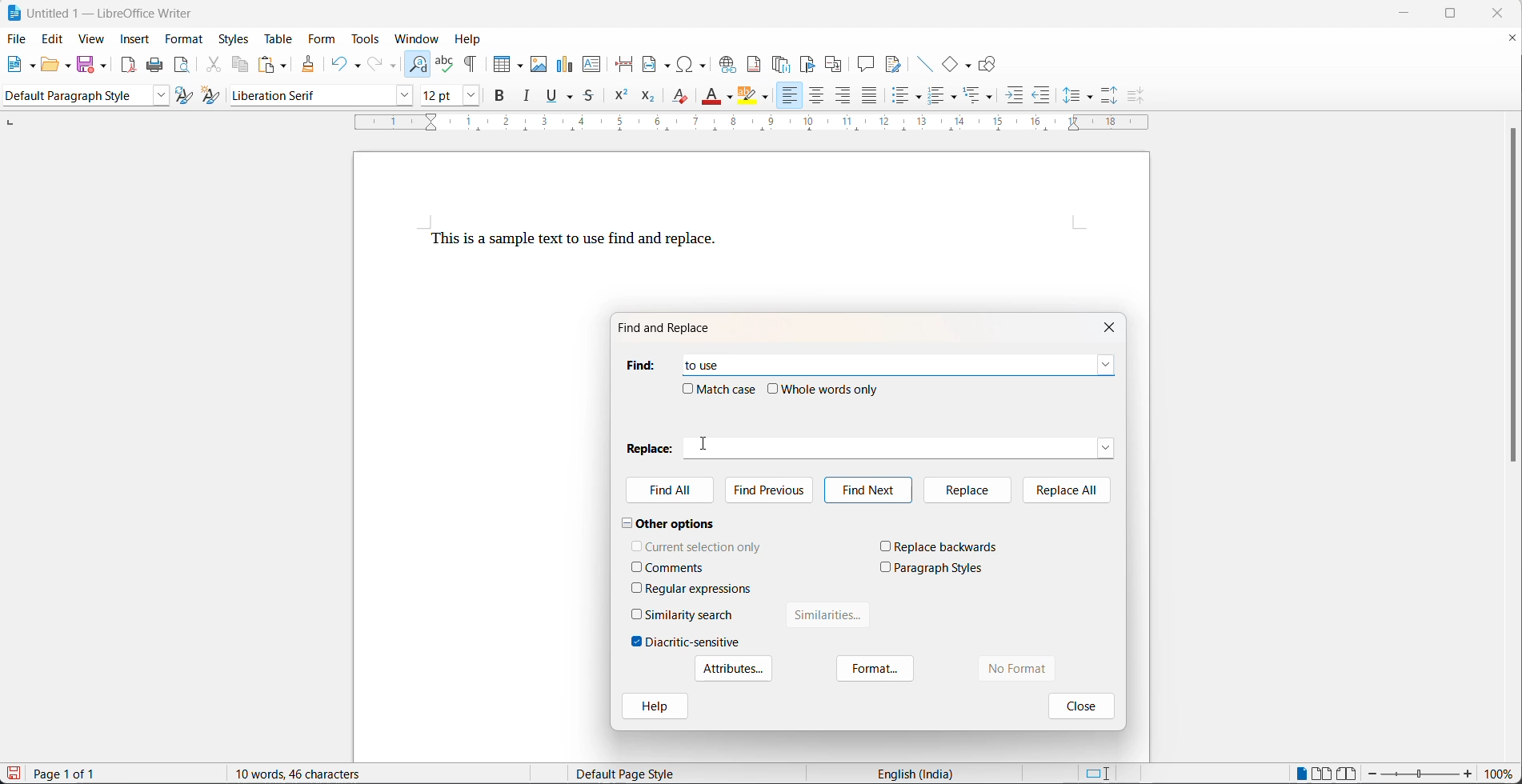 Image resolution: width=1522 pixels, height=784 pixels. Describe the element at coordinates (909, 445) in the screenshot. I see `replace textbox` at that location.